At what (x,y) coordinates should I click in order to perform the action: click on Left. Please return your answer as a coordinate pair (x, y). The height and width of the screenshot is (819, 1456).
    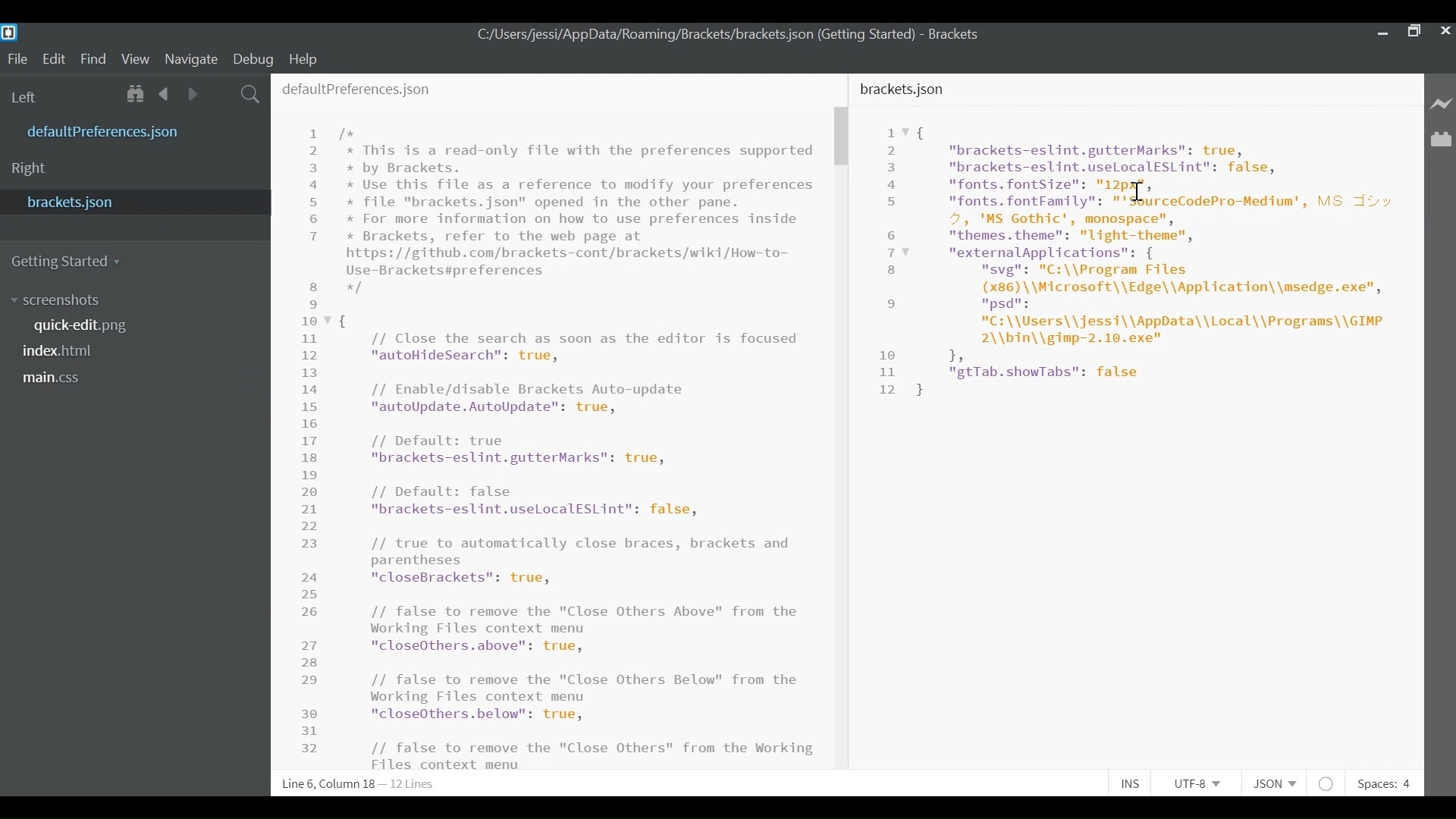
    Looking at the image, I should click on (29, 96).